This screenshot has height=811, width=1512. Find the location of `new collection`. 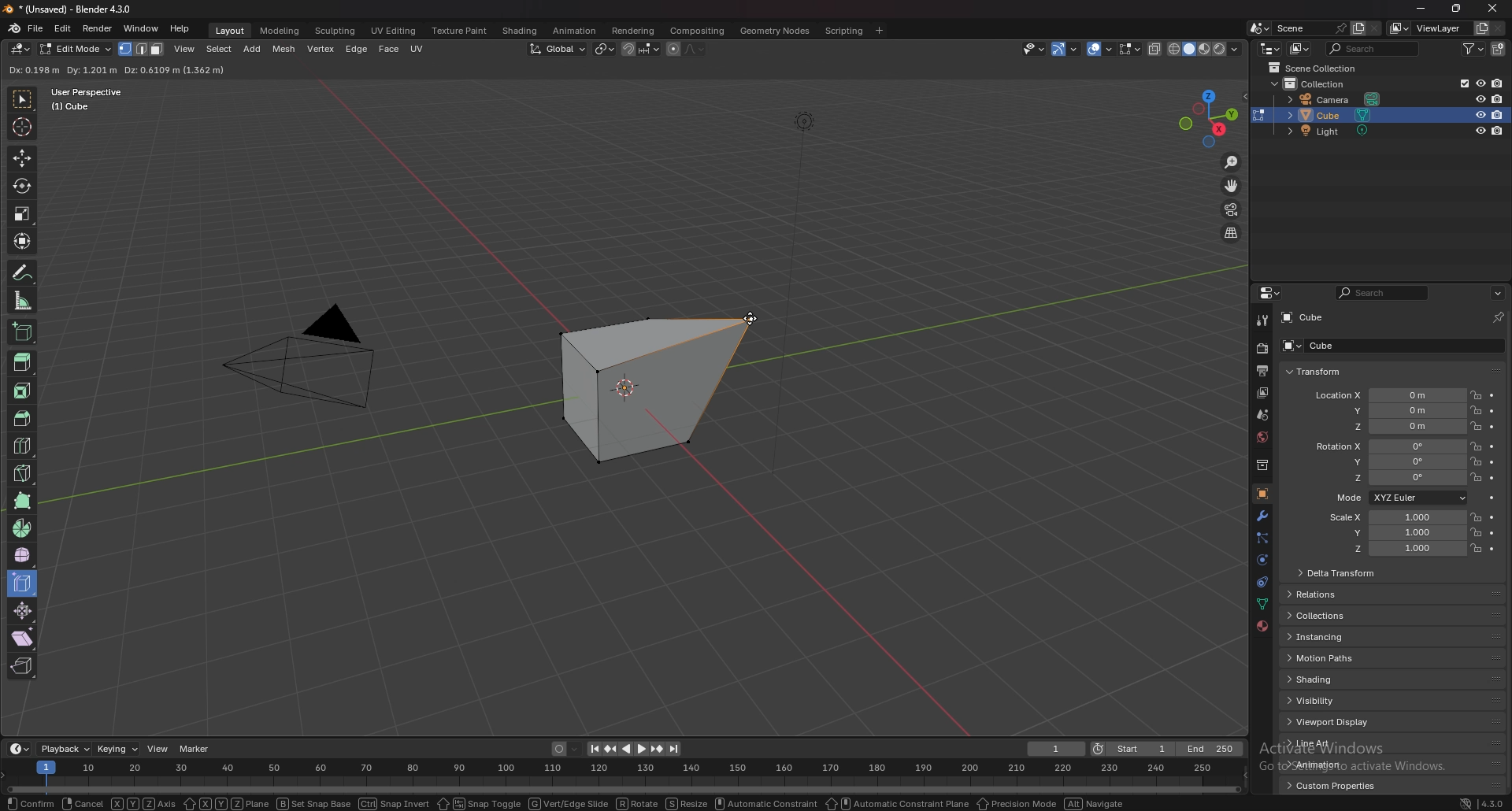

new collection is located at coordinates (1499, 49).